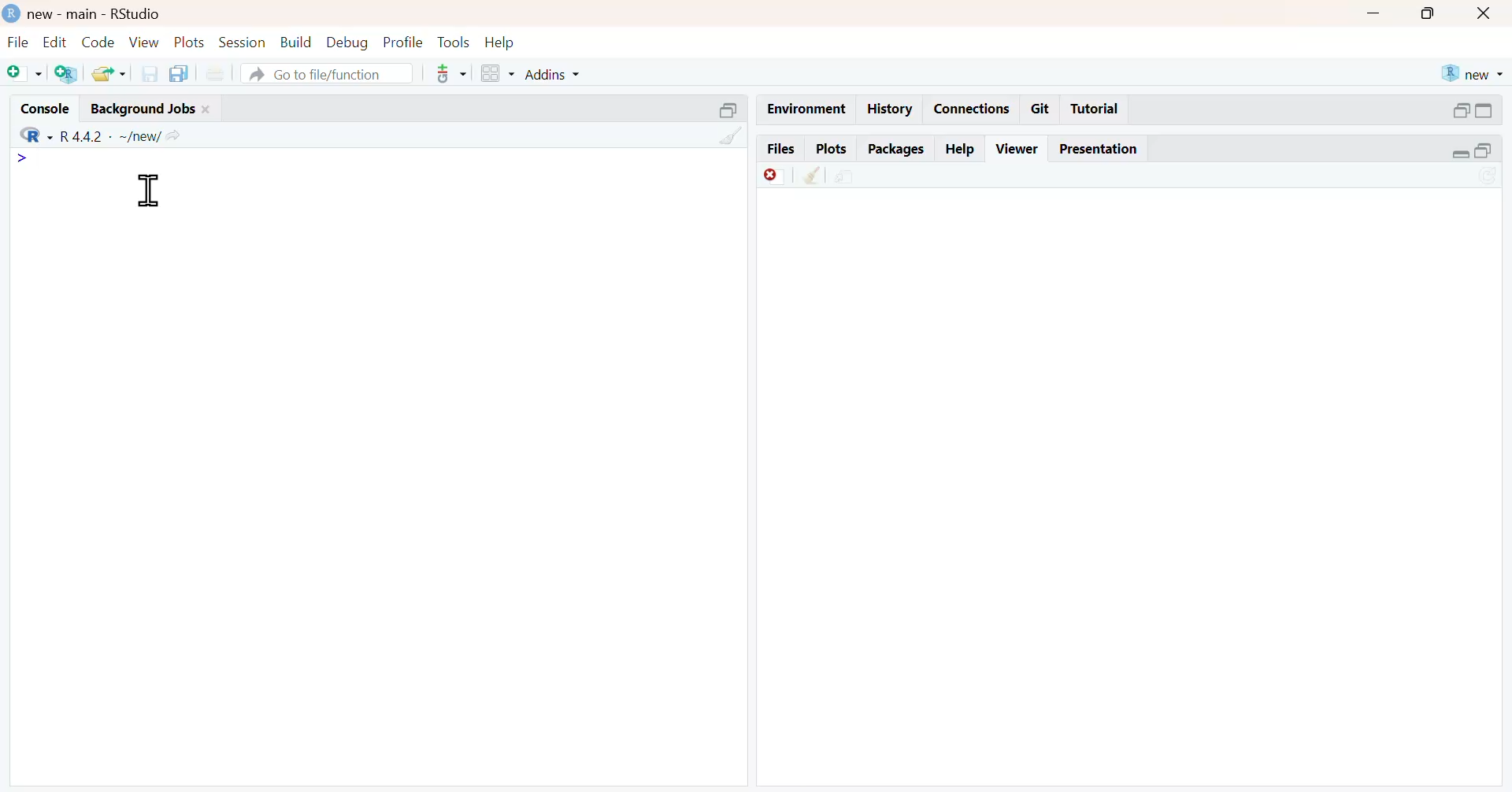 The image size is (1512, 792). What do you see at coordinates (17, 160) in the screenshot?
I see `prompt cursor` at bounding box center [17, 160].